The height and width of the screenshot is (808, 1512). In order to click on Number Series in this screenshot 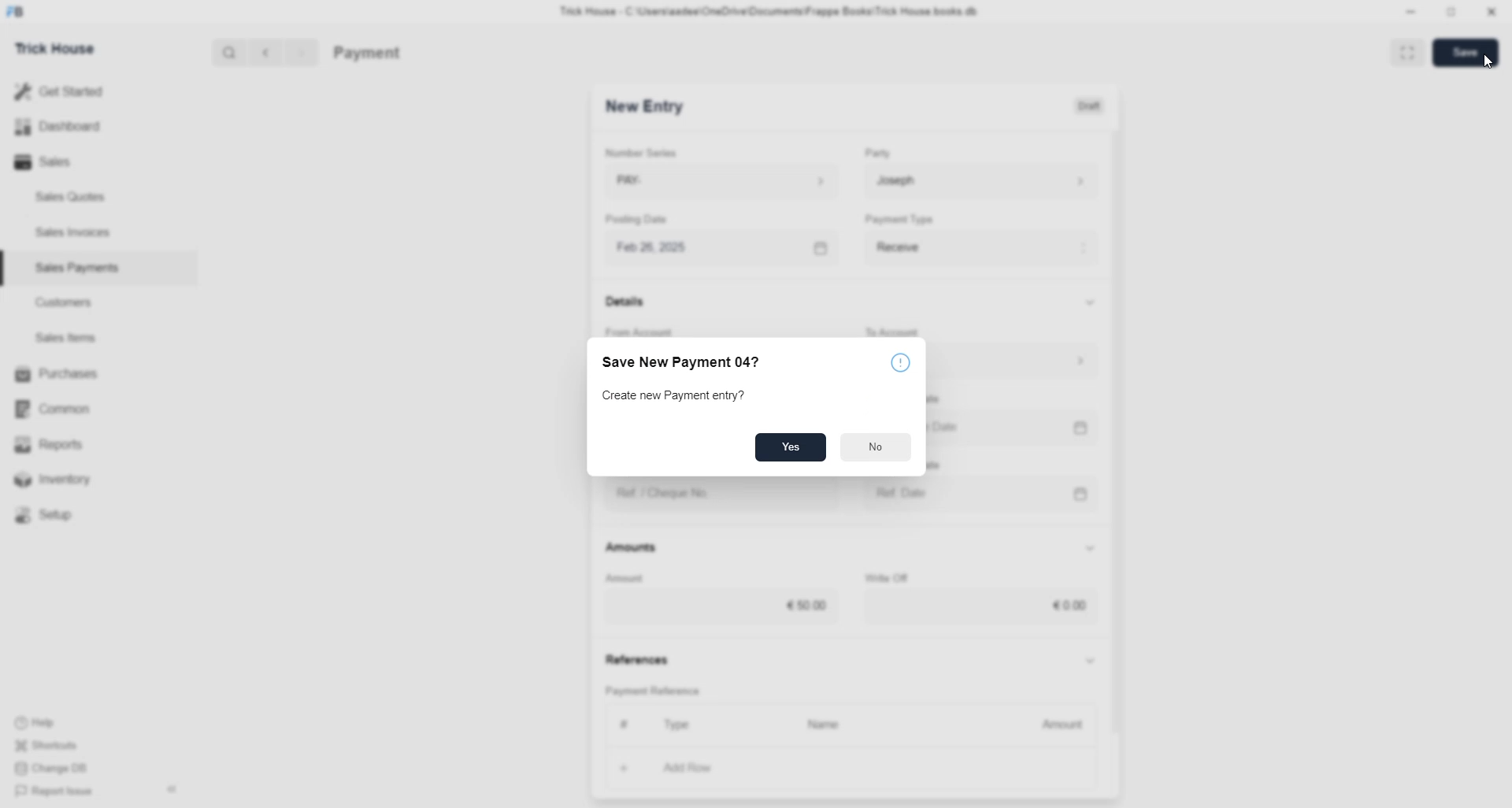, I will do `click(642, 152)`.